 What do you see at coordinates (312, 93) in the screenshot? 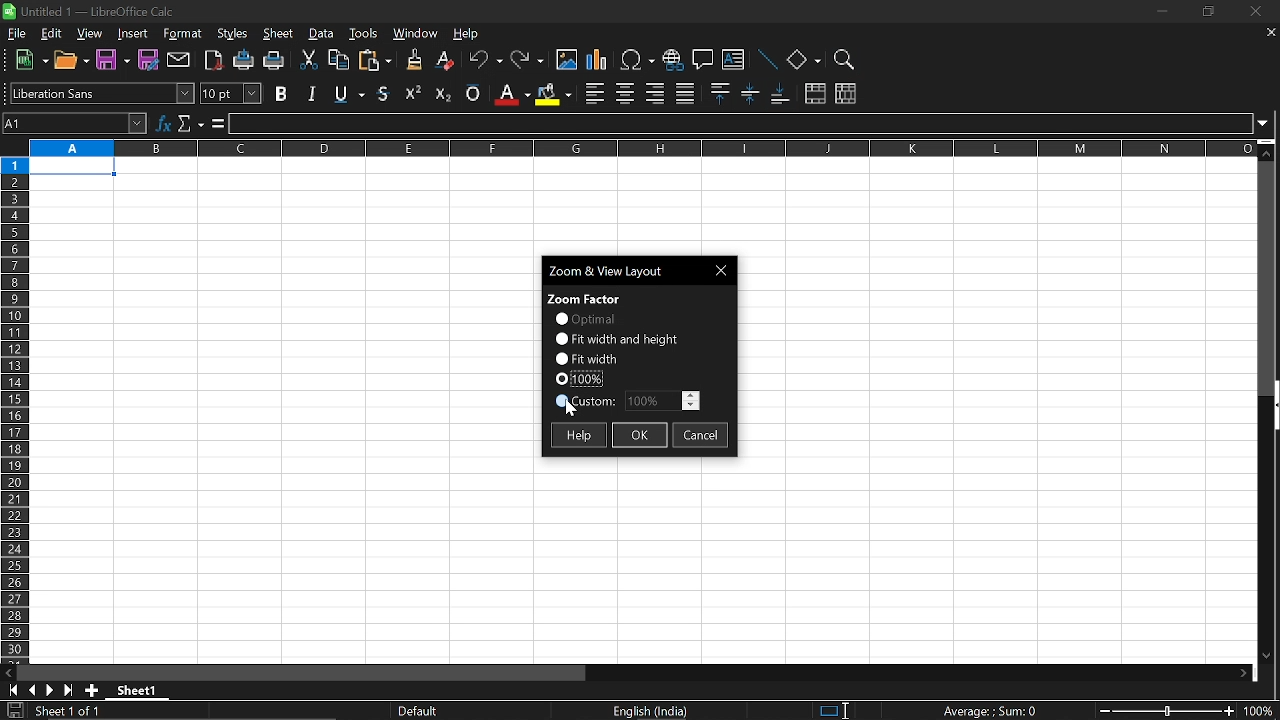
I see `italic` at bounding box center [312, 93].